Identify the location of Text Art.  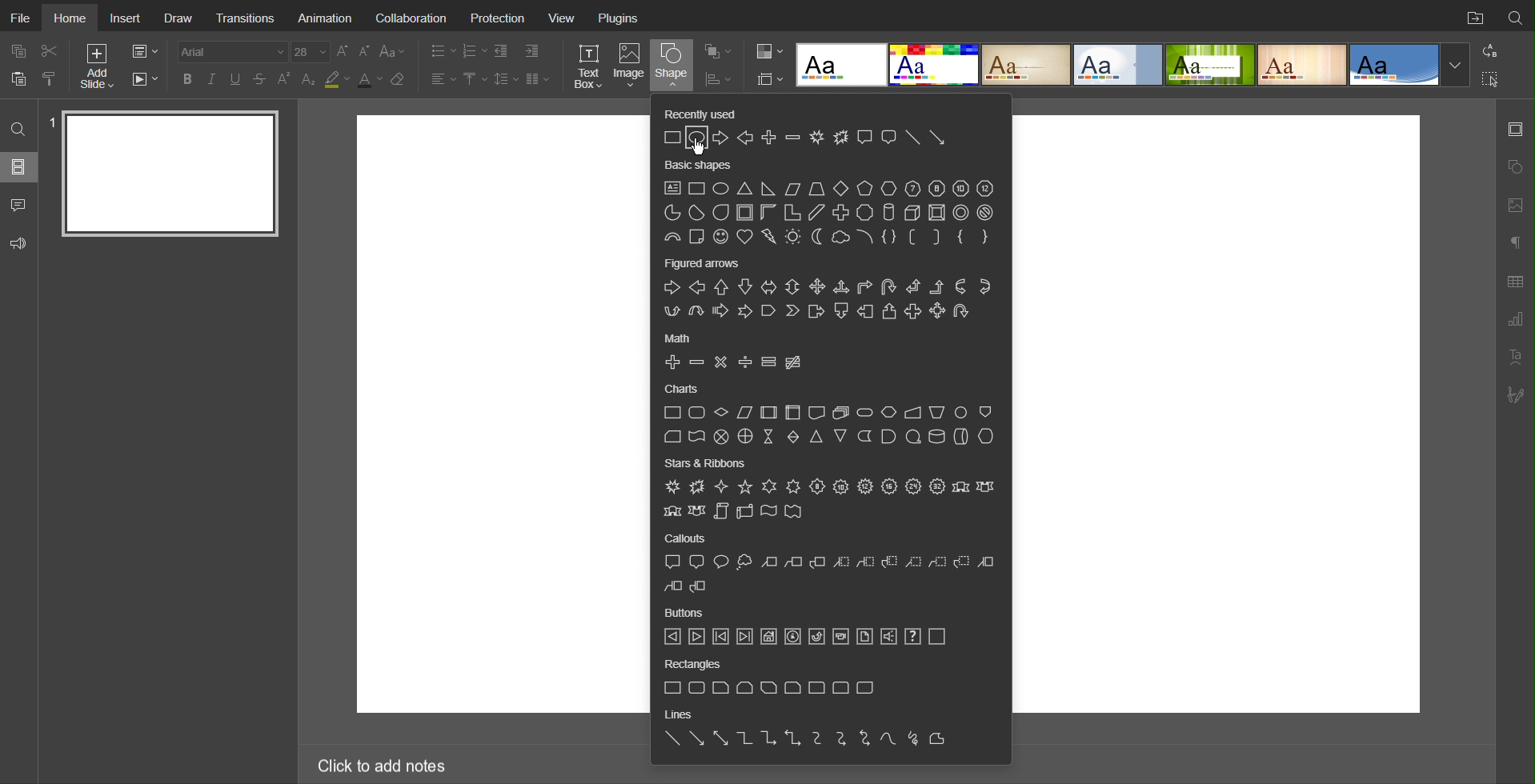
(1515, 357).